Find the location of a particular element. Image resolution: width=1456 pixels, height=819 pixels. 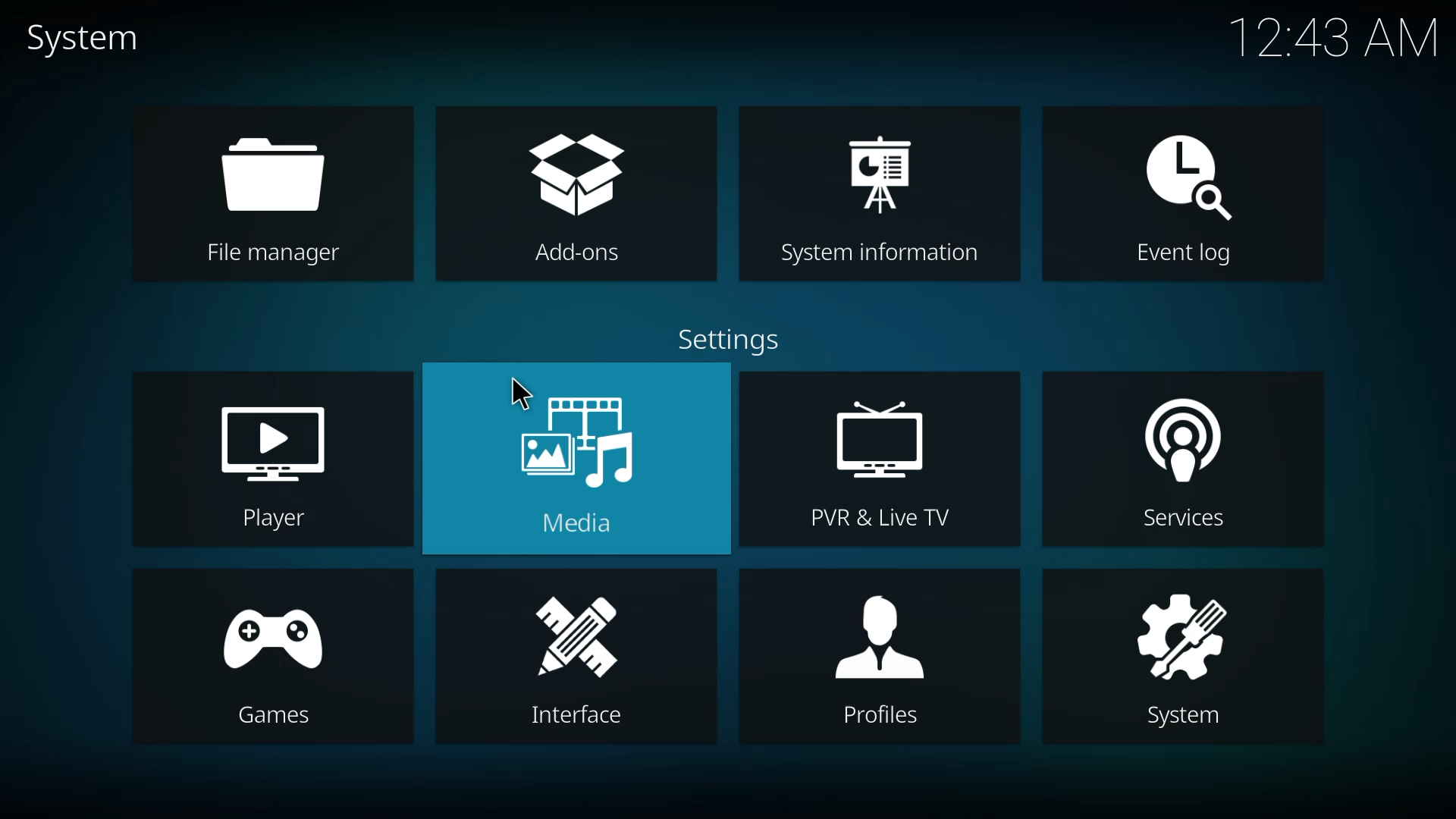

media is located at coordinates (579, 462).